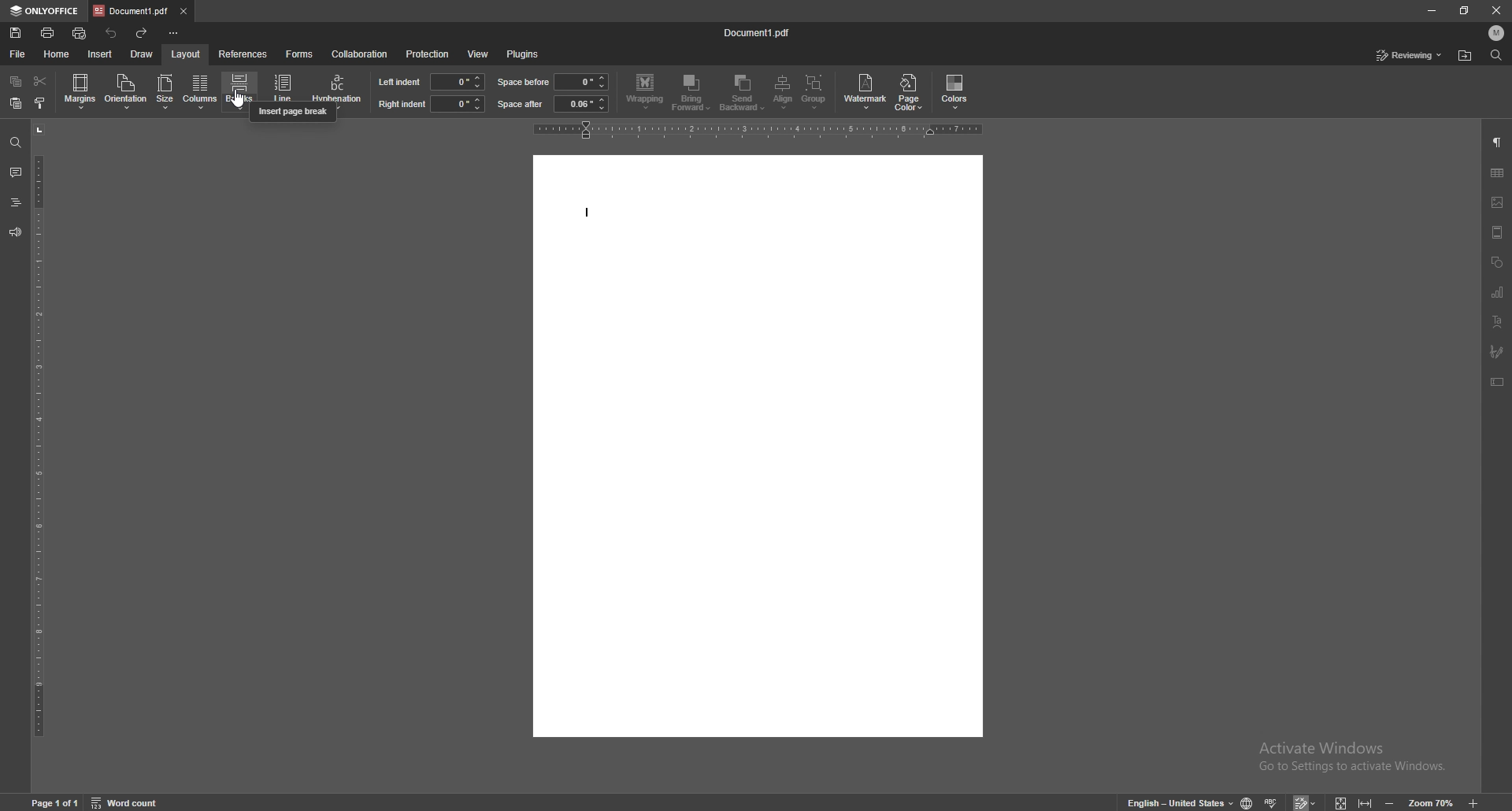 The image size is (1512, 811). I want to click on English - United States, so click(1175, 802).